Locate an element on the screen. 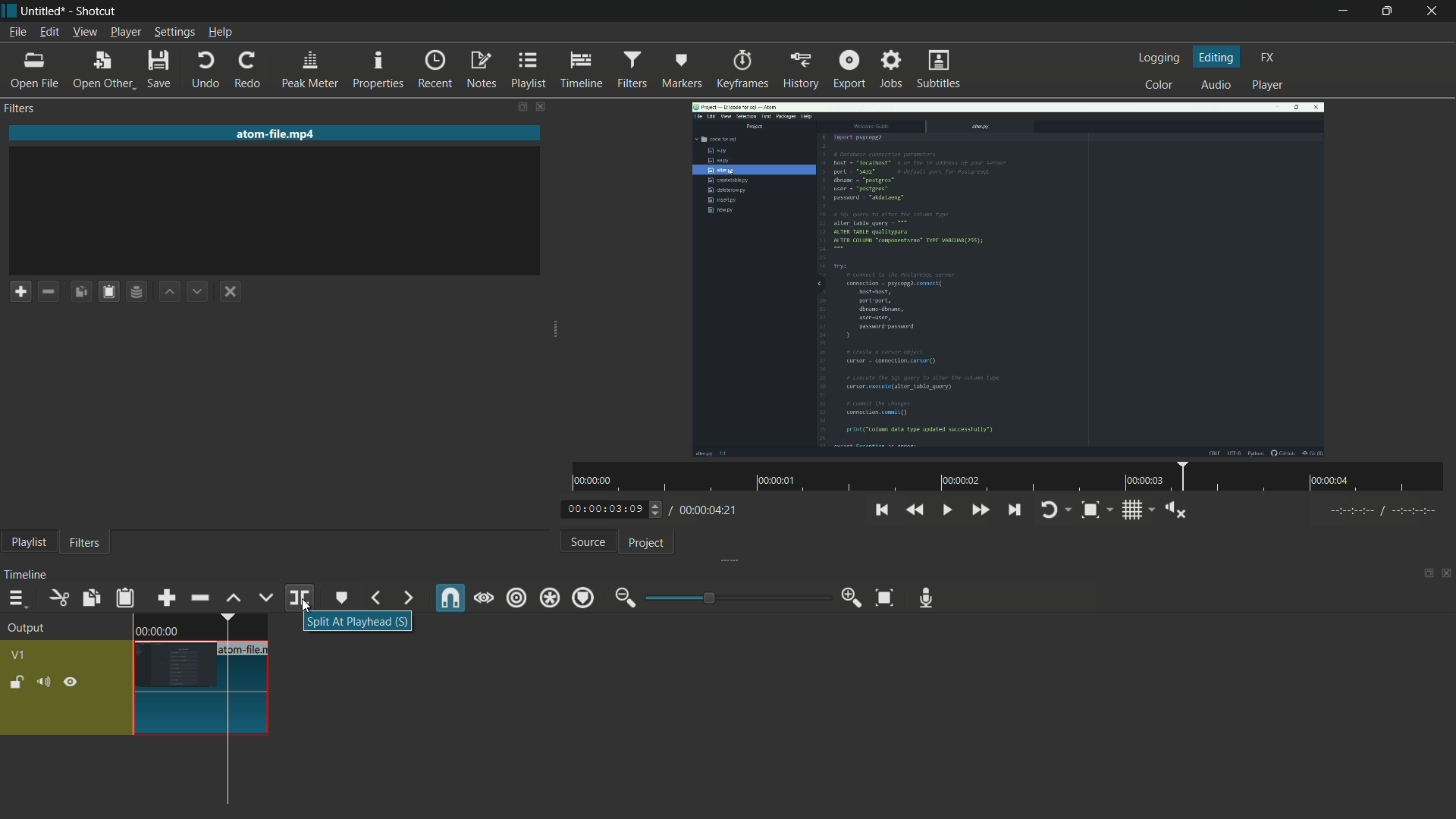 The height and width of the screenshot is (819, 1456). open other is located at coordinates (102, 71).